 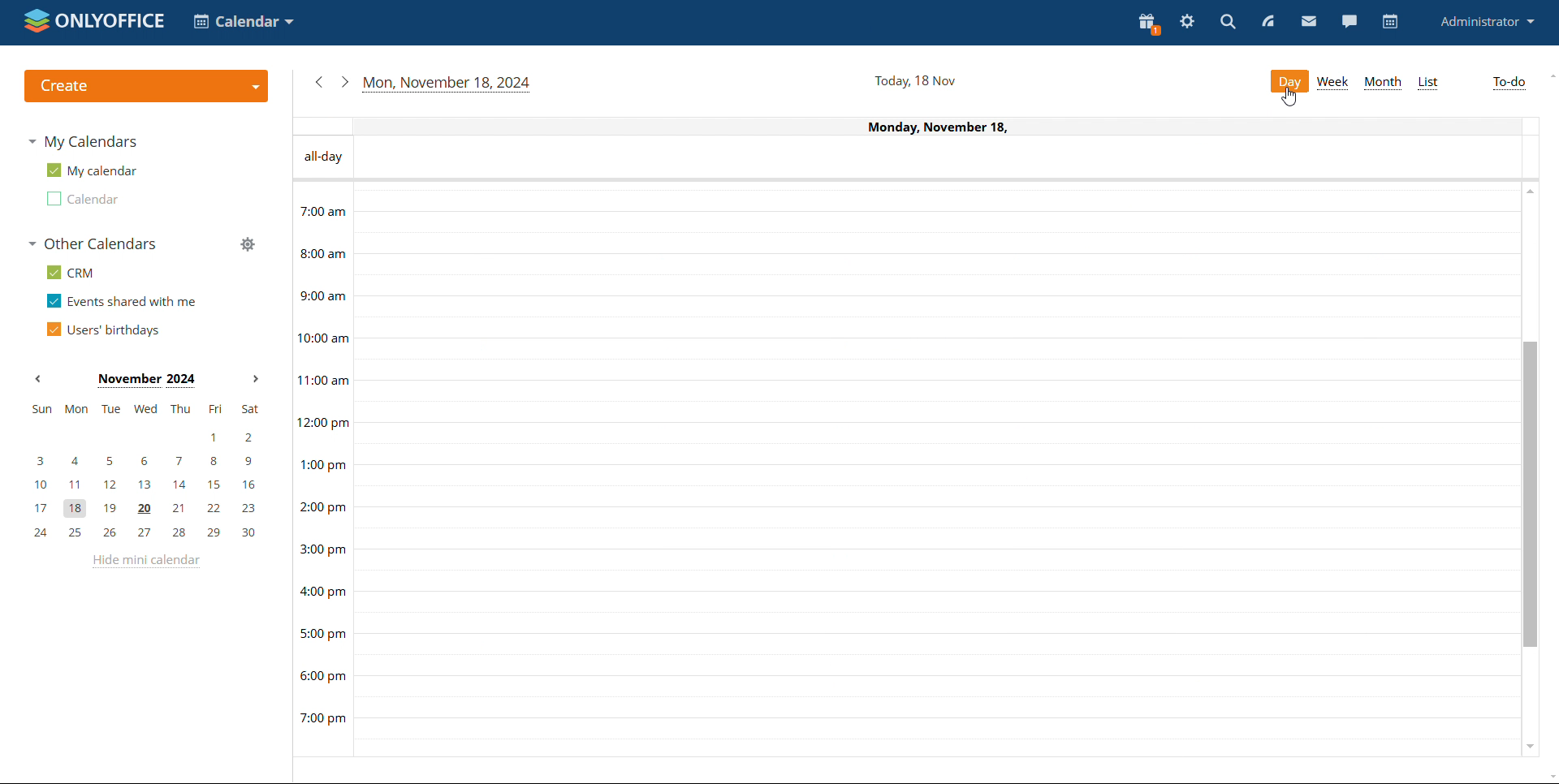 What do you see at coordinates (322, 157) in the screenshot?
I see `all-day` at bounding box center [322, 157].